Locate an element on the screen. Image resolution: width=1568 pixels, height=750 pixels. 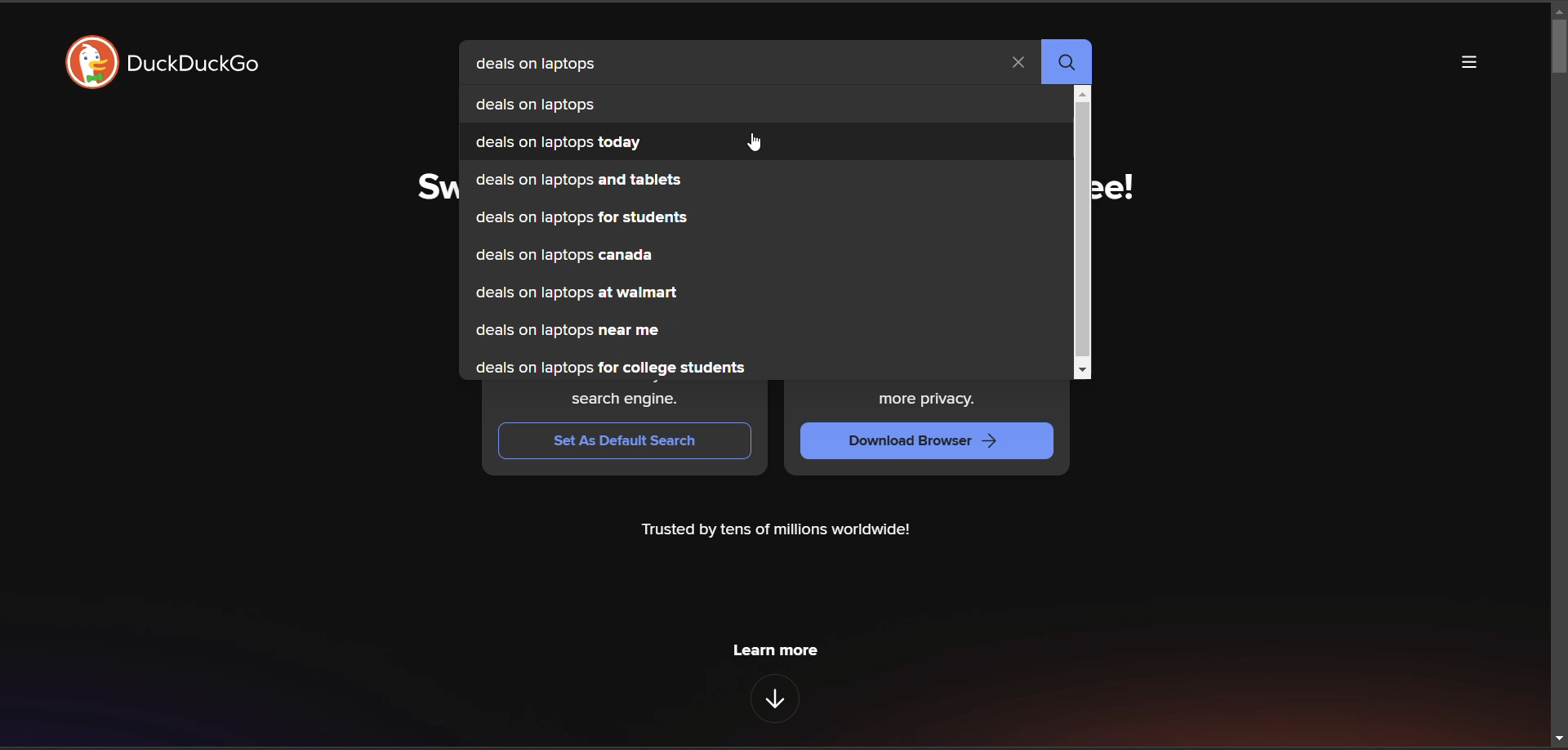
logo and title is located at coordinates (171, 65).